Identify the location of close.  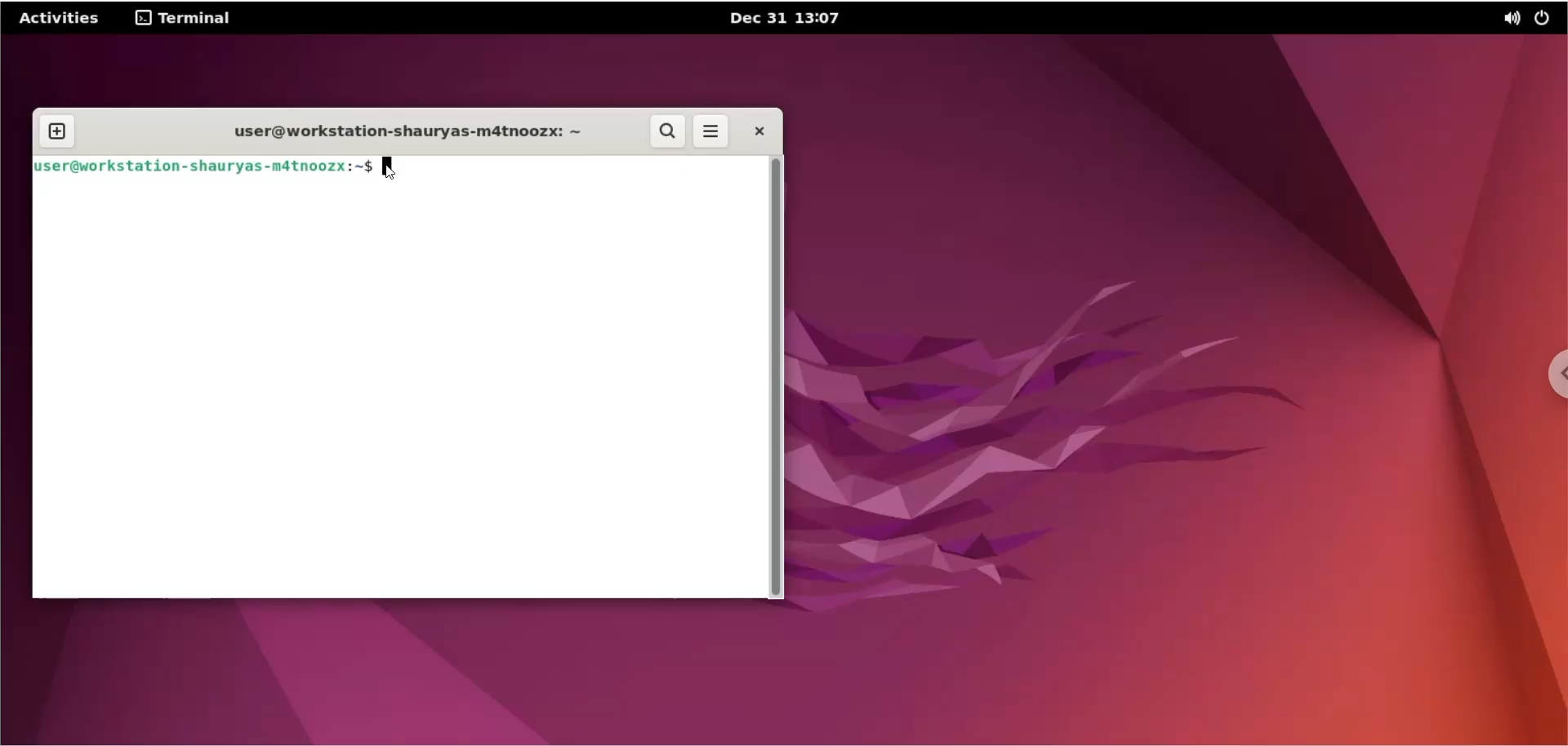
(754, 131).